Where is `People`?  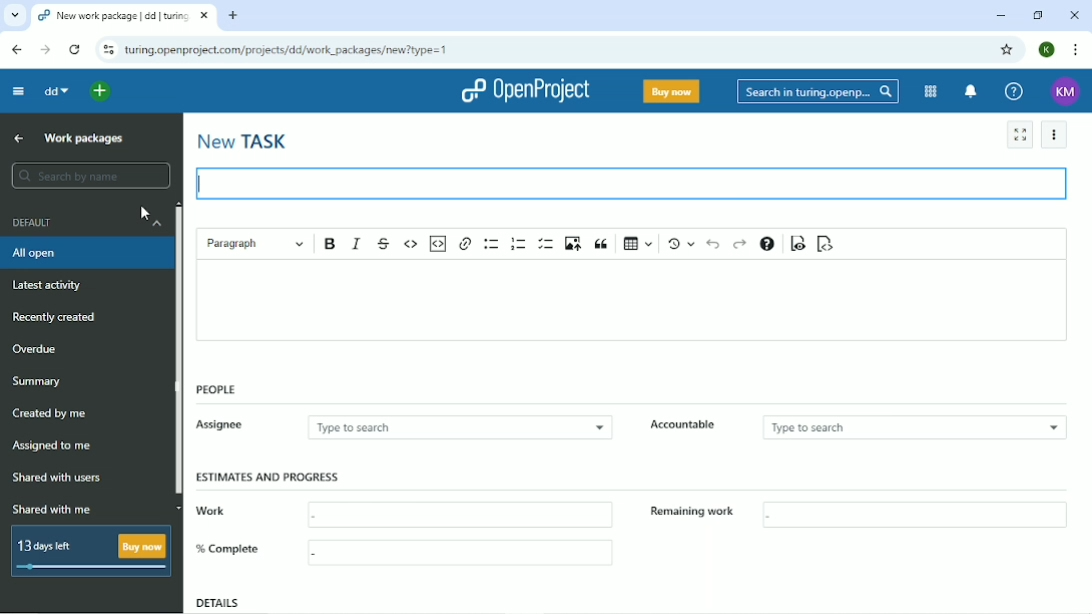
People is located at coordinates (216, 389).